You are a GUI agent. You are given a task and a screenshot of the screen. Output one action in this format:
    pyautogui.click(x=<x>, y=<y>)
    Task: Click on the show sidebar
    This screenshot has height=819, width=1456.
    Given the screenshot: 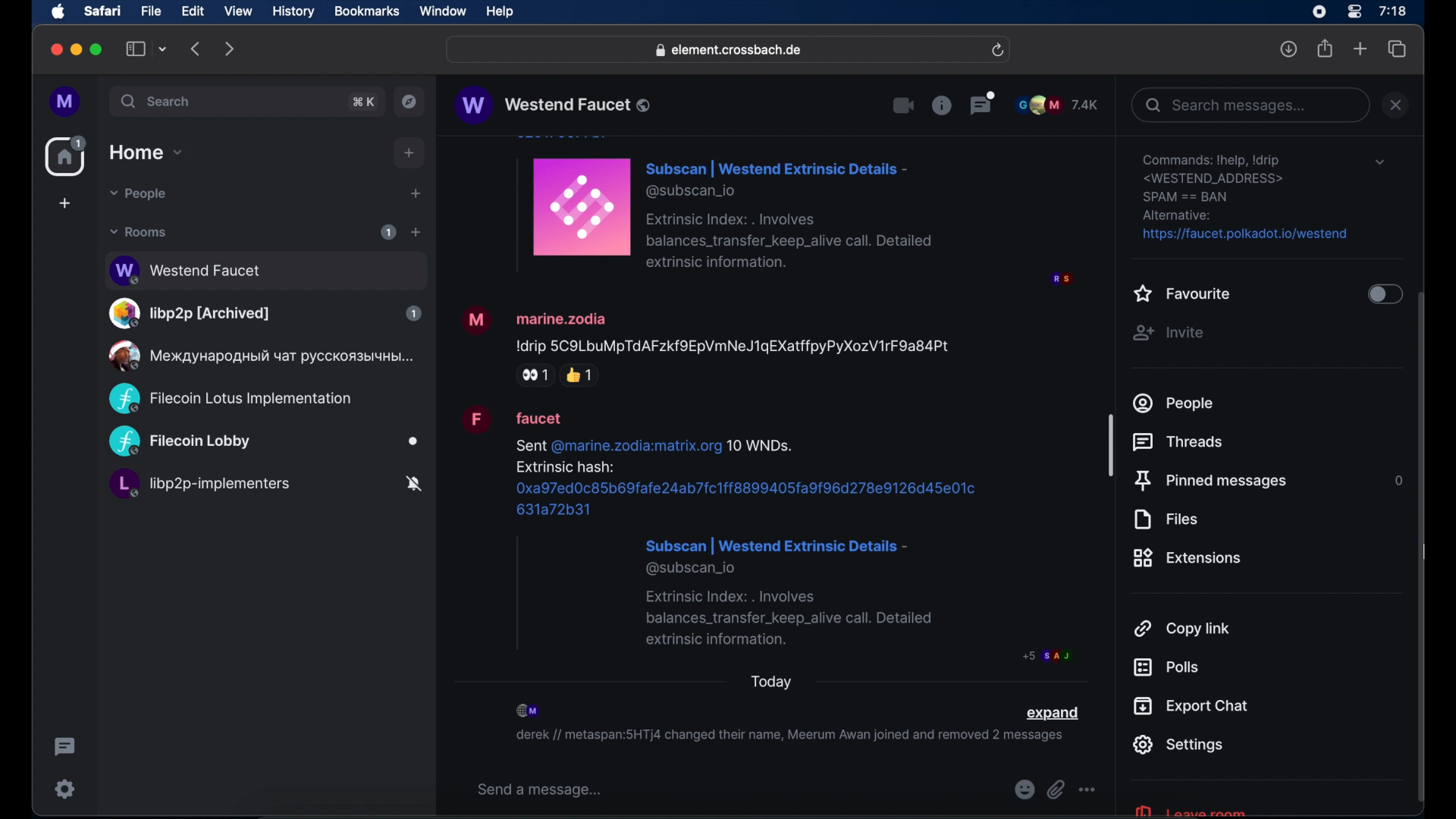 What is the action you would take?
    pyautogui.click(x=136, y=49)
    